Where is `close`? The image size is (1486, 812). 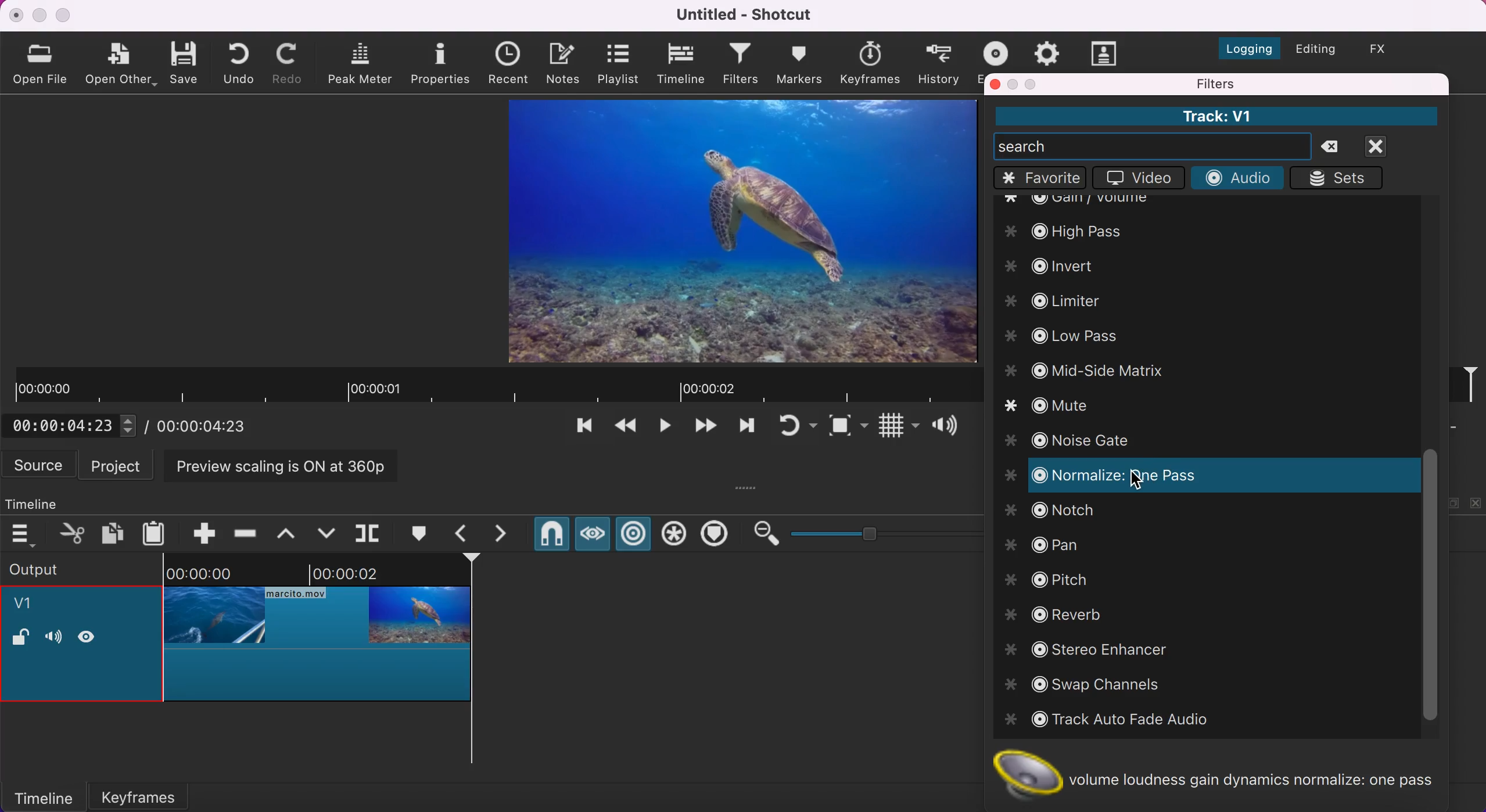
close is located at coordinates (17, 15).